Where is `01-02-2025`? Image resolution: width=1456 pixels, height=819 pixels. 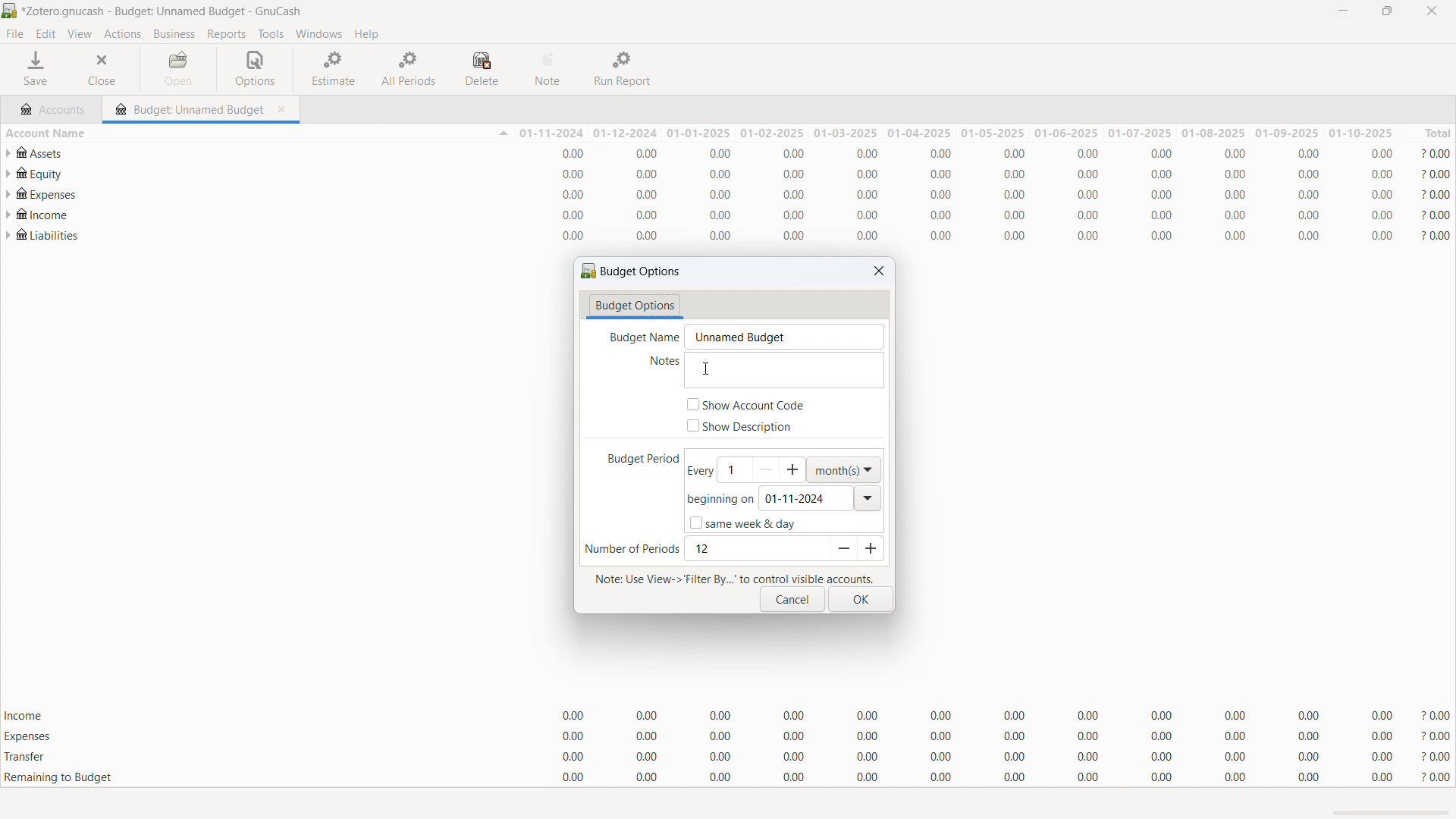
01-02-2025 is located at coordinates (772, 133).